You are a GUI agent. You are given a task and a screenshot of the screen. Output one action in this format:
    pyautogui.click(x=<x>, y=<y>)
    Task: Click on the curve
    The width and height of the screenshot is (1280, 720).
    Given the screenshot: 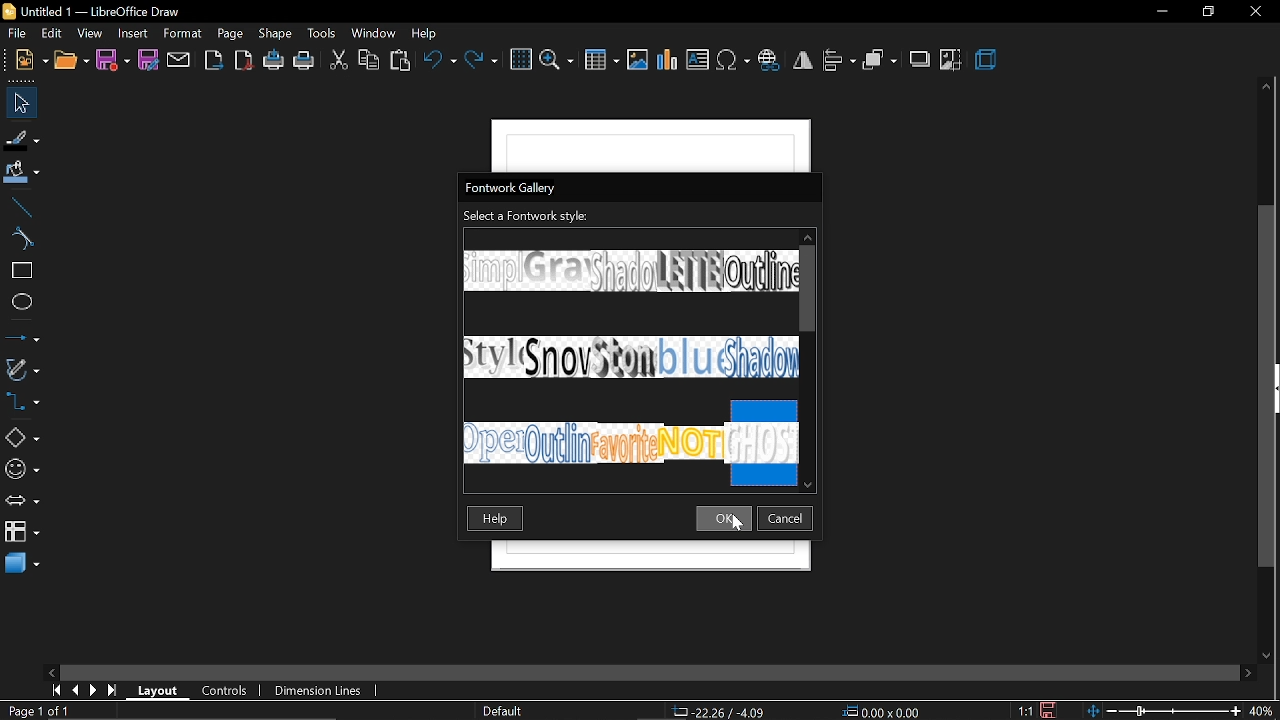 What is the action you would take?
    pyautogui.click(x=18, y=240)
    